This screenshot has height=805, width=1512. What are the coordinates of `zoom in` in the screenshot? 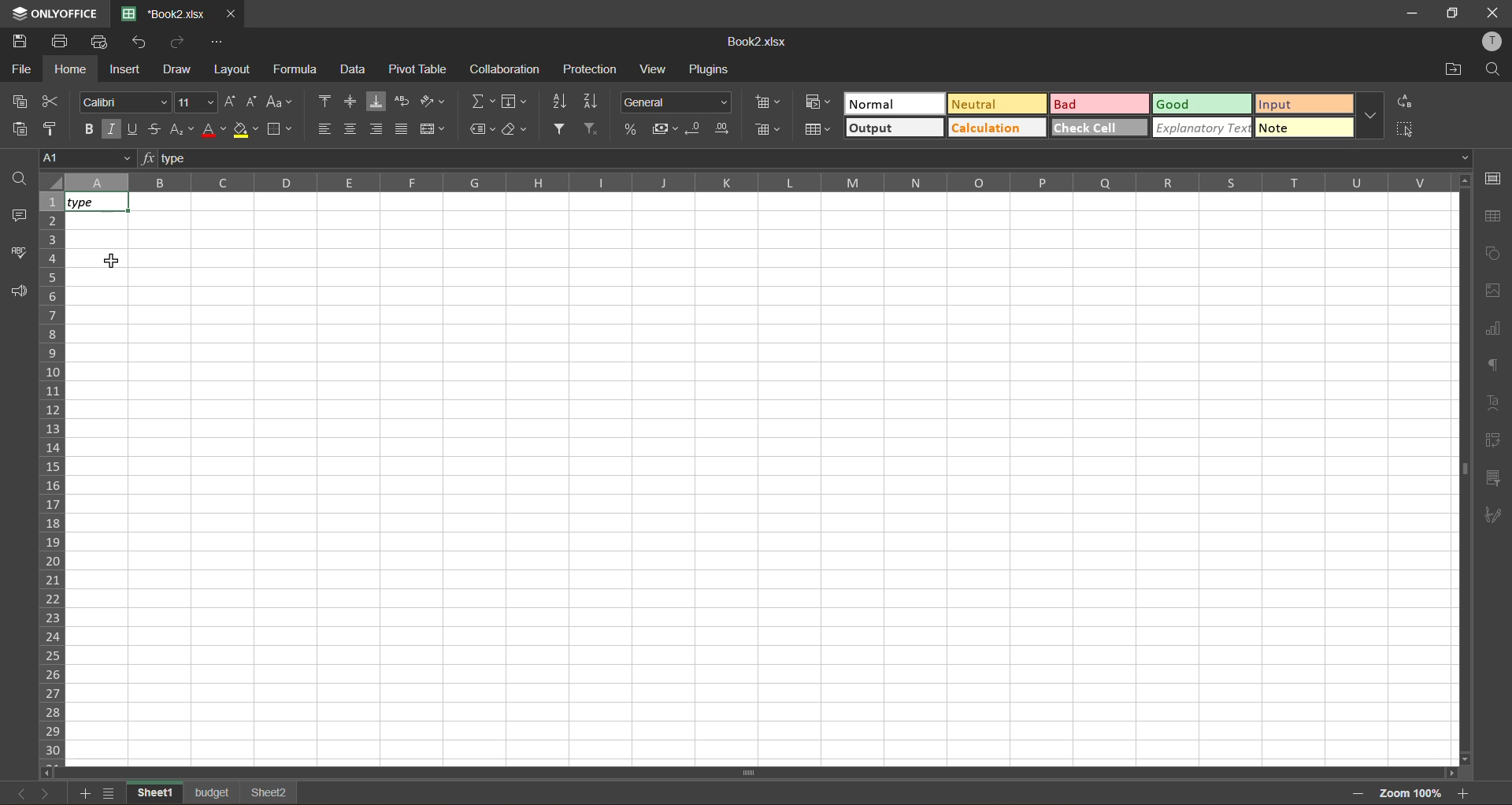 It's located at (1354, 794).